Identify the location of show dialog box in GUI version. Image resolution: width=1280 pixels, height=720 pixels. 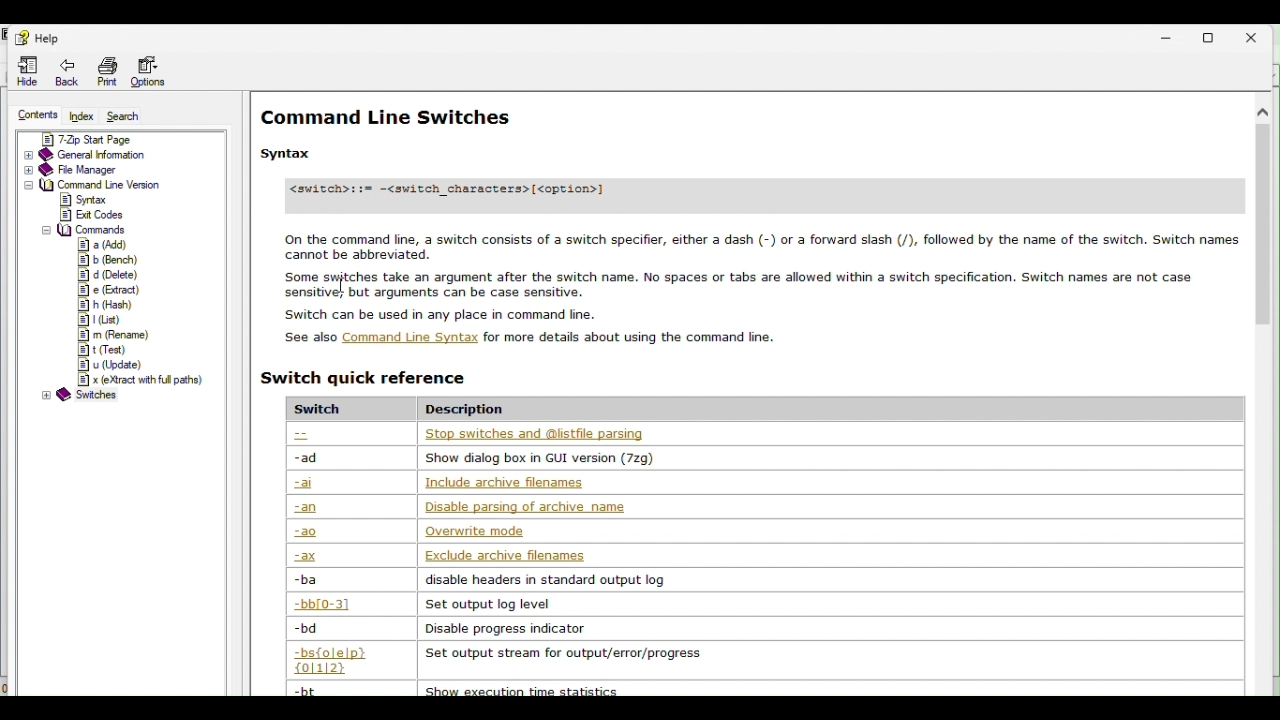
(543, 458).